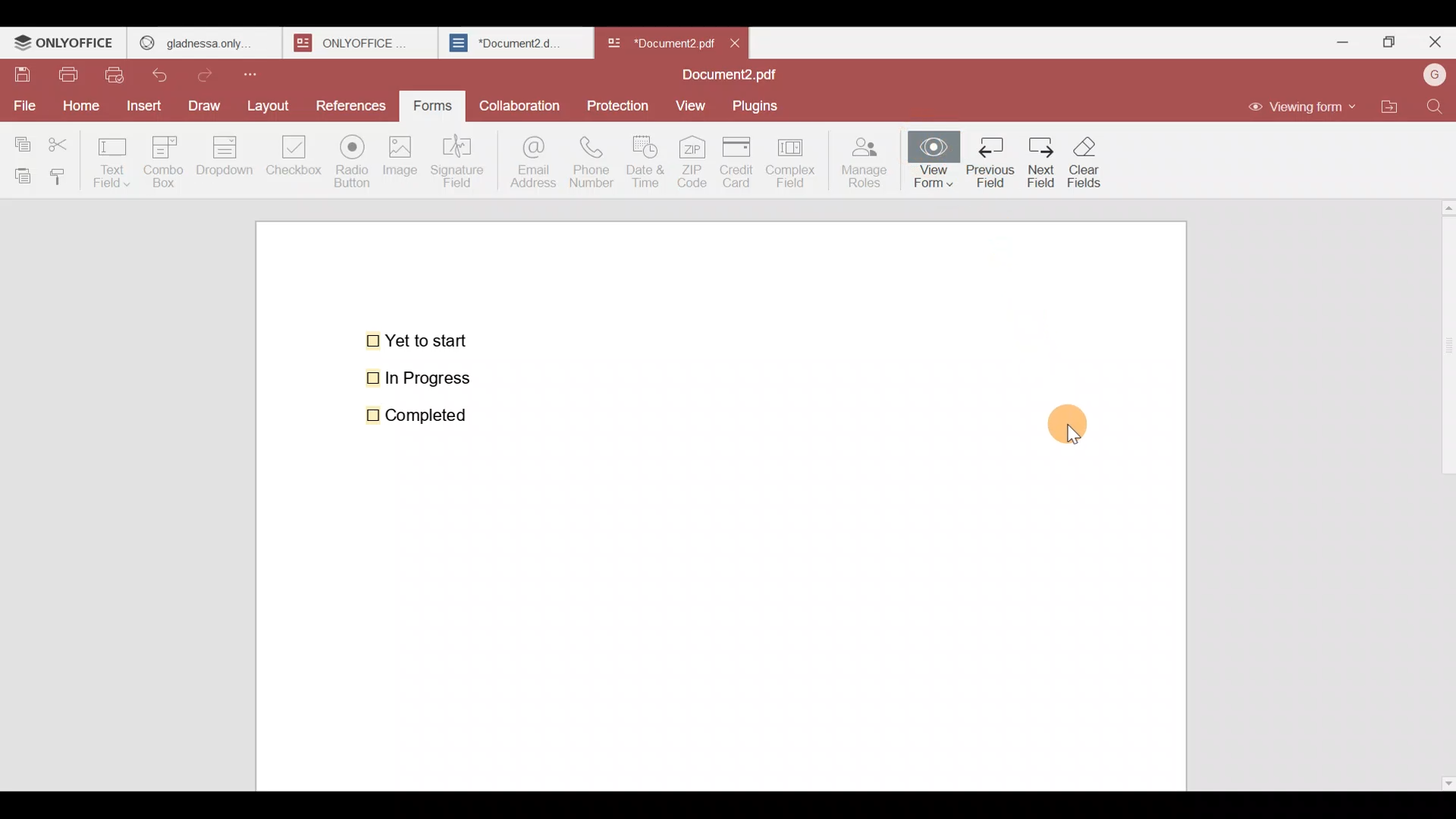 Image resolution: width=1456 pixels, height=819 pixels. Describe the element at coordinates (212, 71) in the screenshot. I see `Redo` at that location.